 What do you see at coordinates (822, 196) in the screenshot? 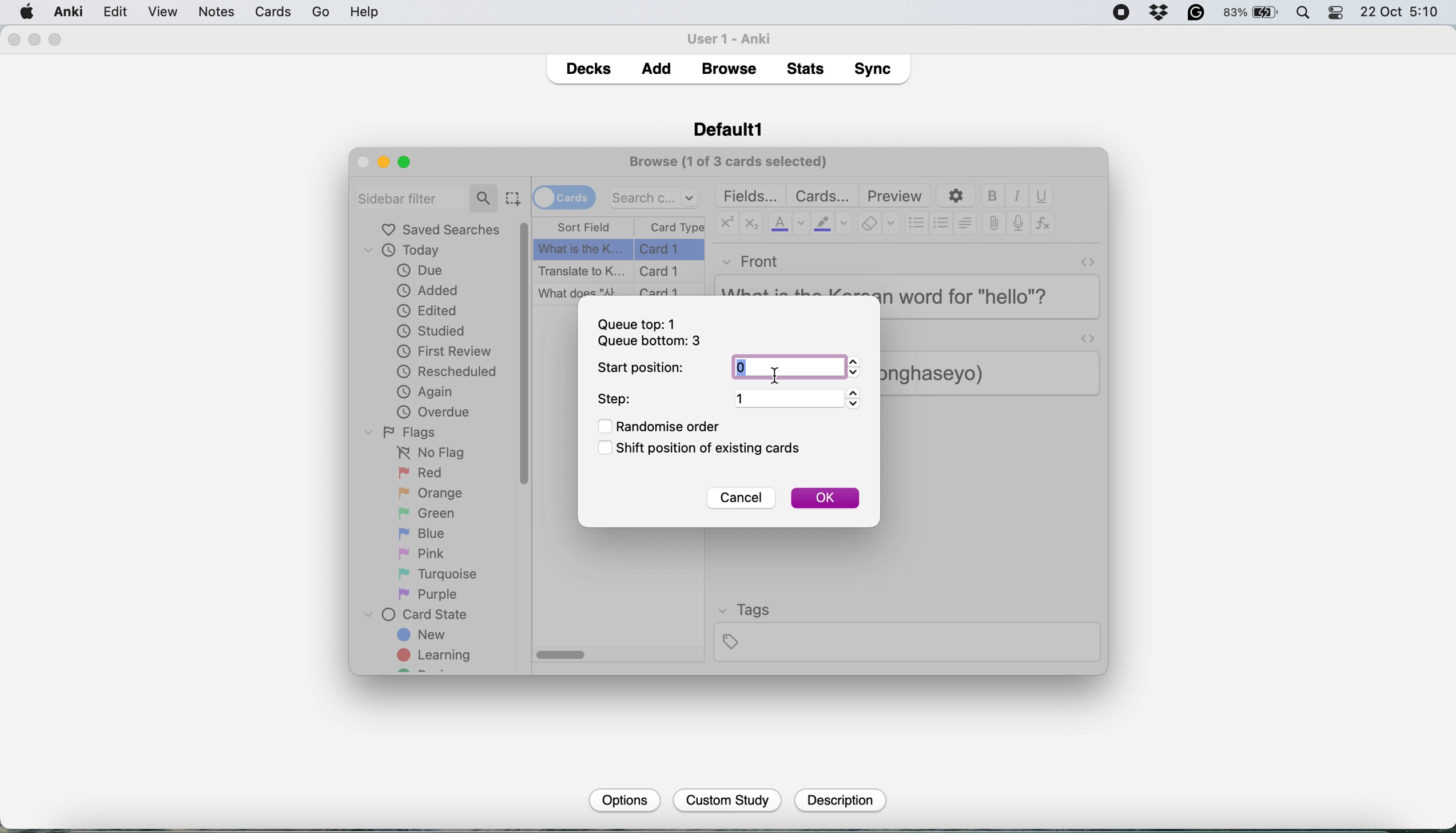
I see `cards` at bounding box center [822, 196].